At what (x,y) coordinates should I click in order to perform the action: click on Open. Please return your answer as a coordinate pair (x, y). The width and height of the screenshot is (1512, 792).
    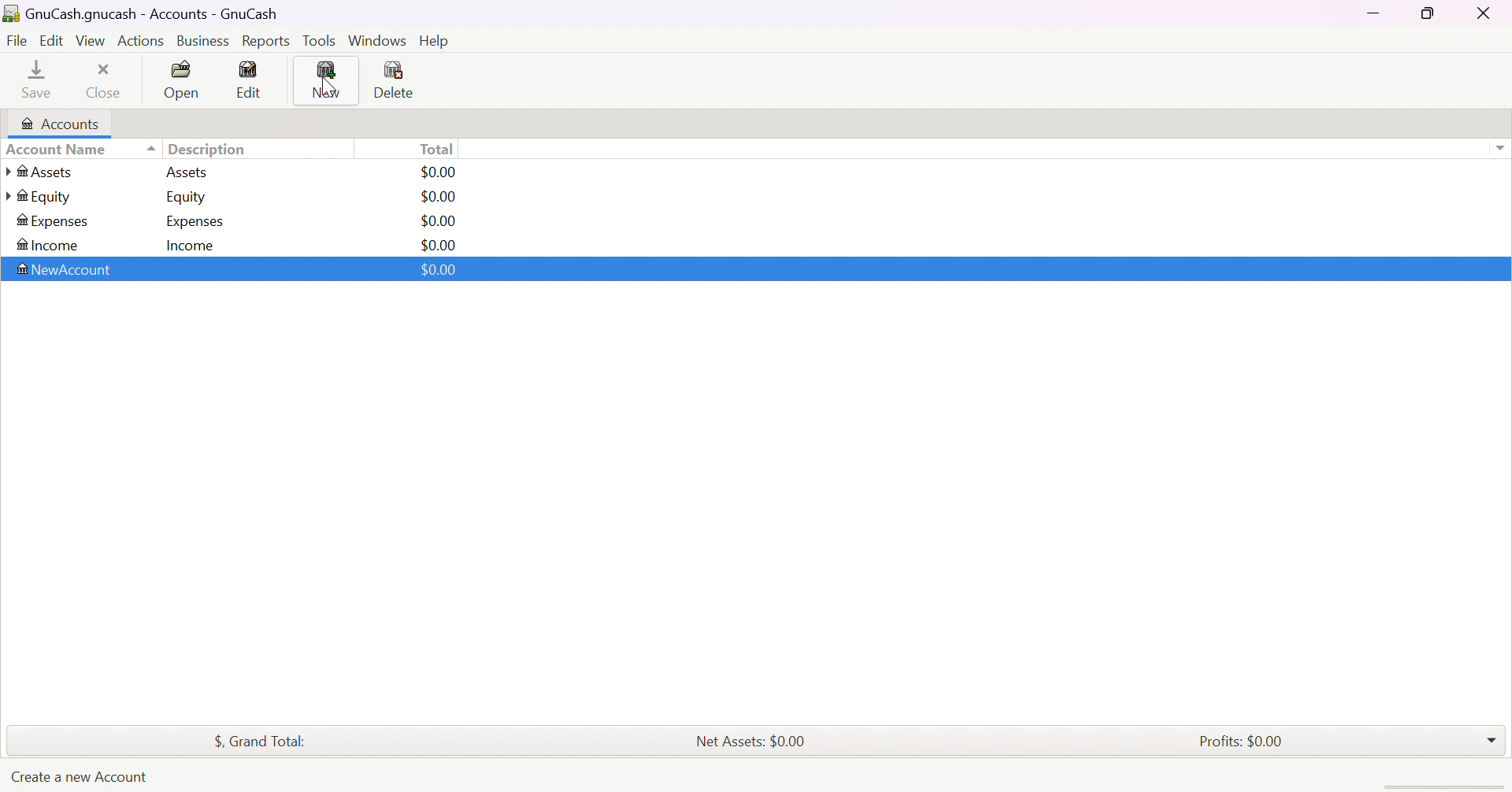
    Looking at the image, I should click on (185, 81).